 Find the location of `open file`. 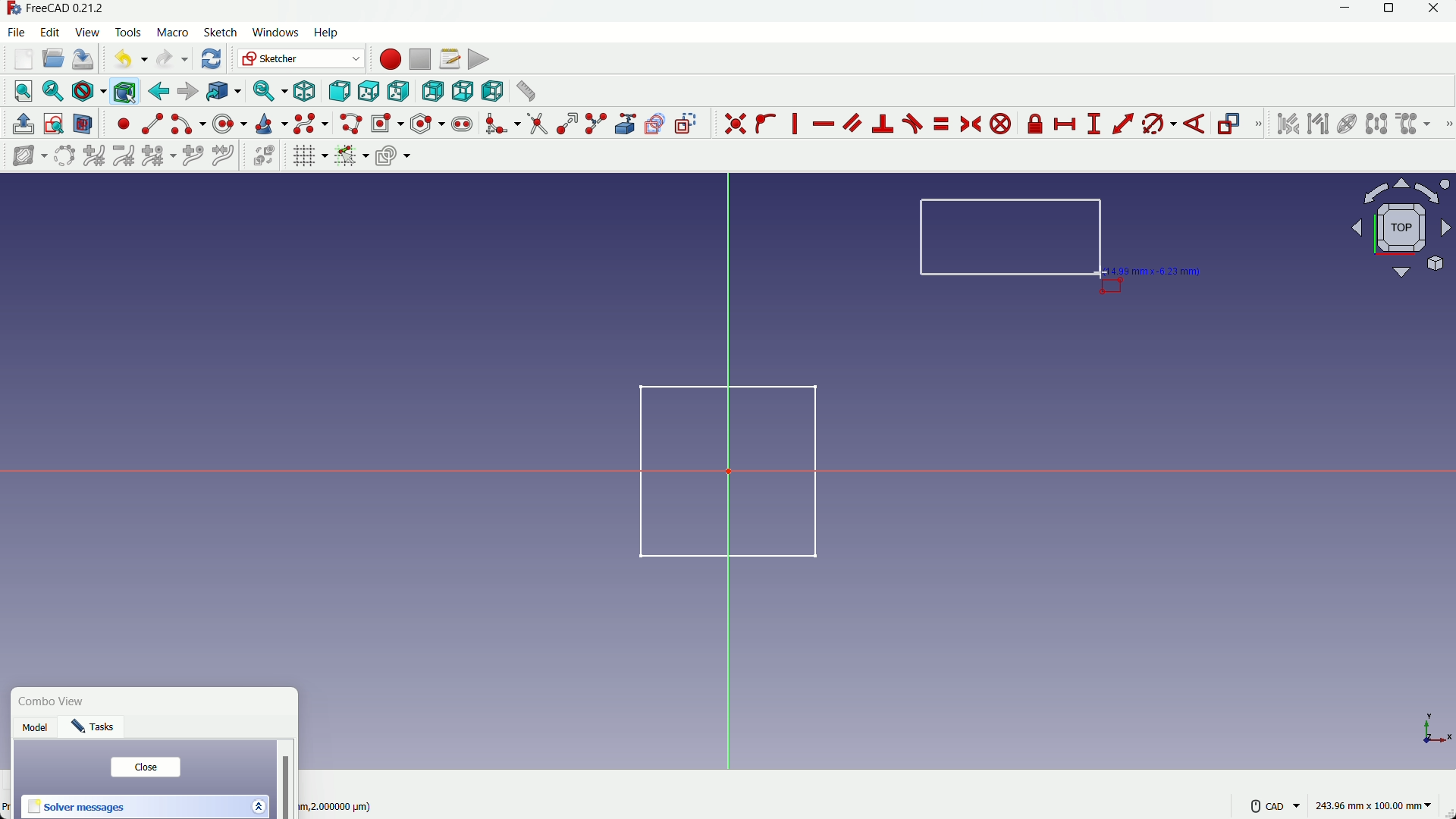

open file is located at coordinates (51, 60).